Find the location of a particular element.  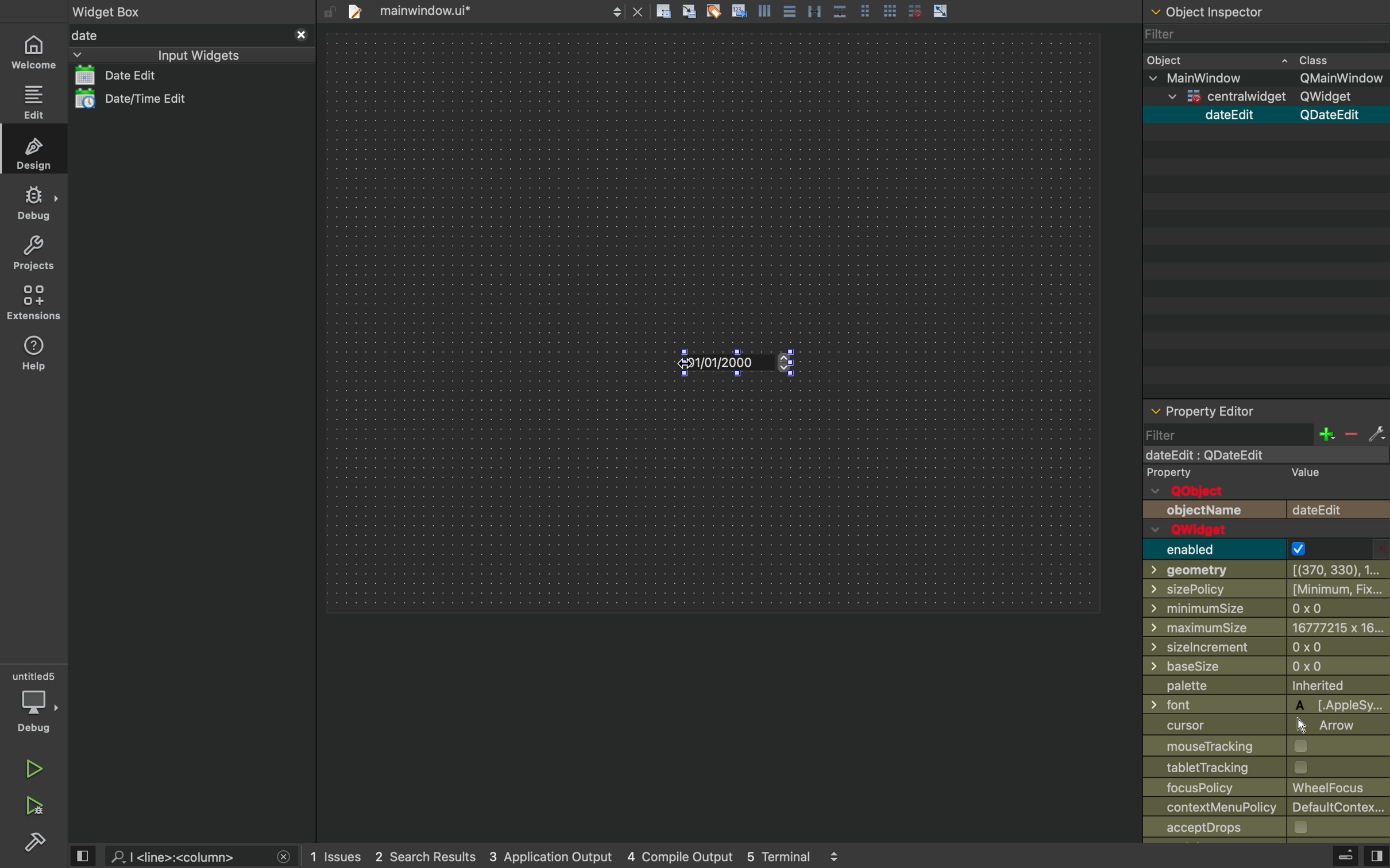

edit is located at coordinates (33, 102).